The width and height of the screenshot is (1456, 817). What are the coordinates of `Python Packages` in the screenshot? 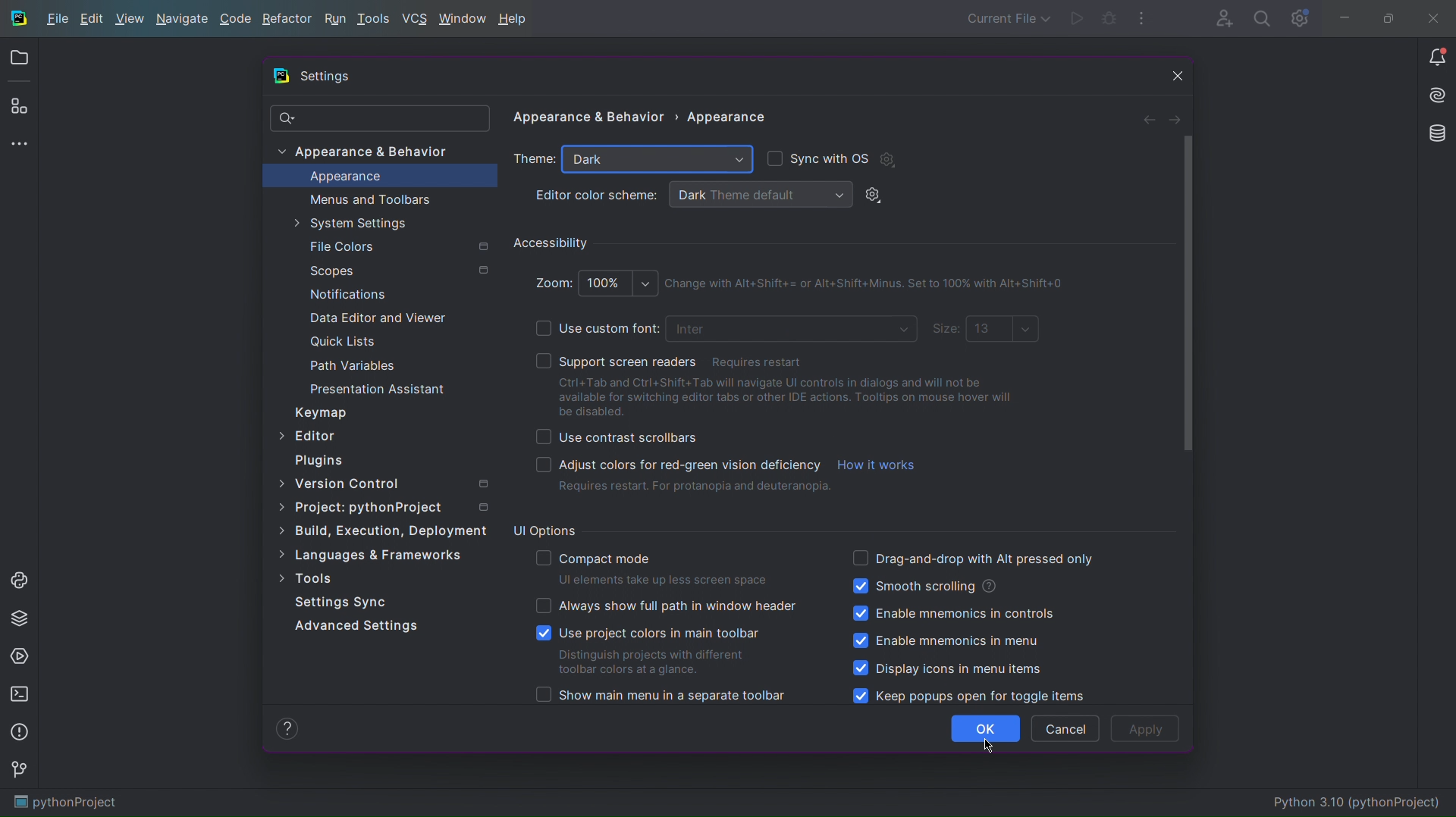 It's located at (20, 617).